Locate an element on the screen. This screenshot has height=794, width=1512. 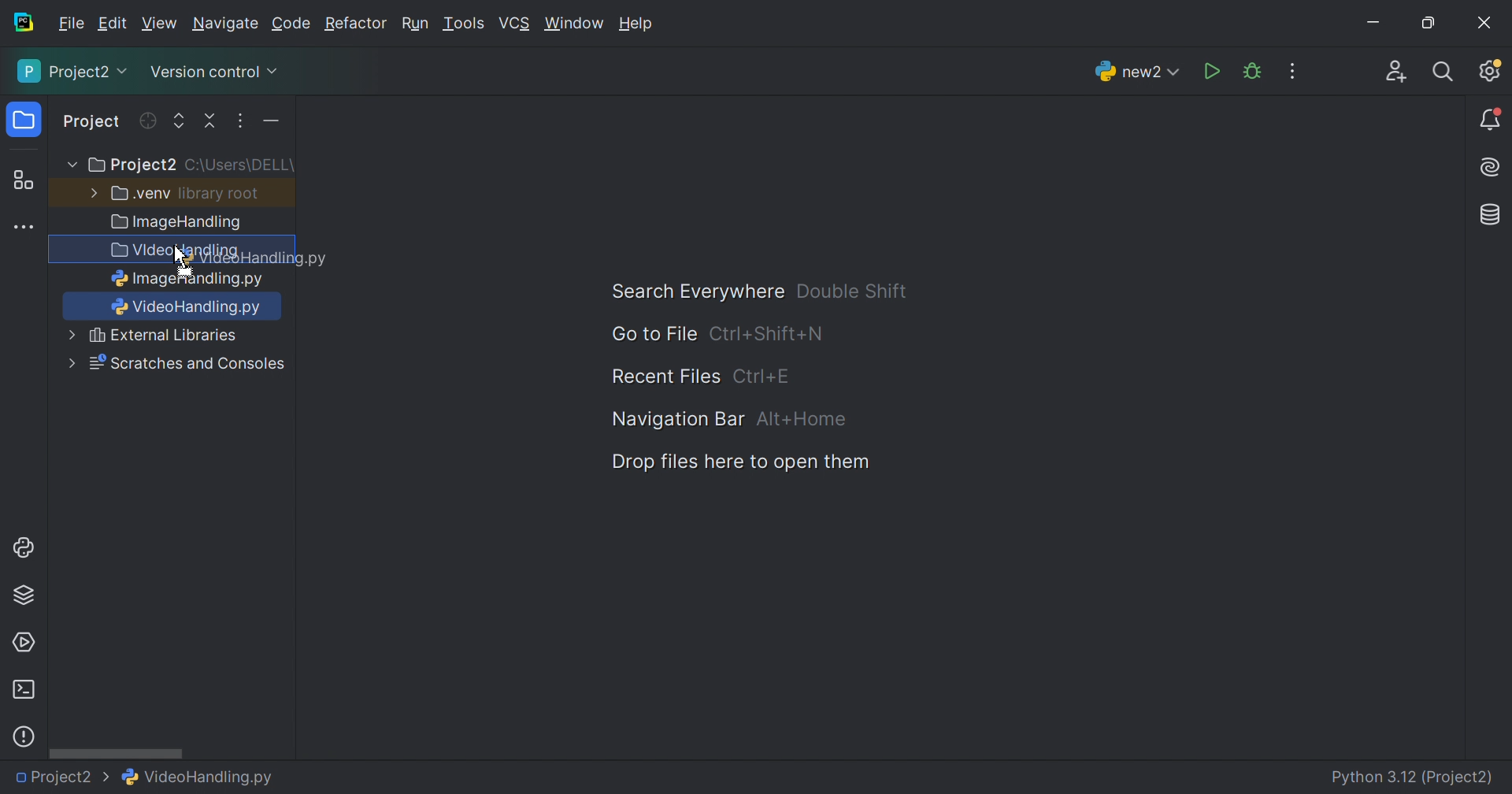
Navigate is located at coordinates (227, 26).